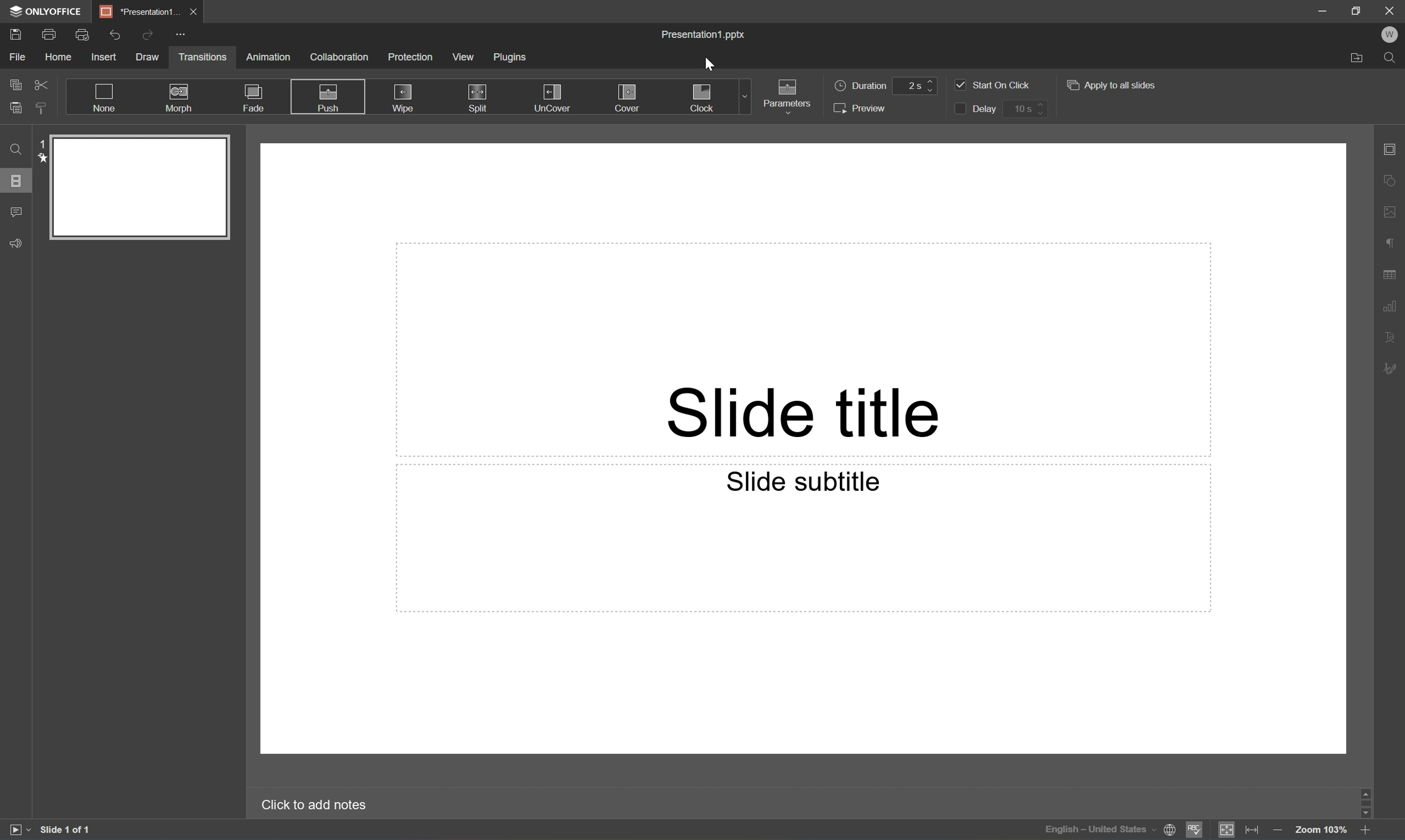  Describe the element at coordinates (1364, 831) in the screenshot. I see `Zoom in` at that location.